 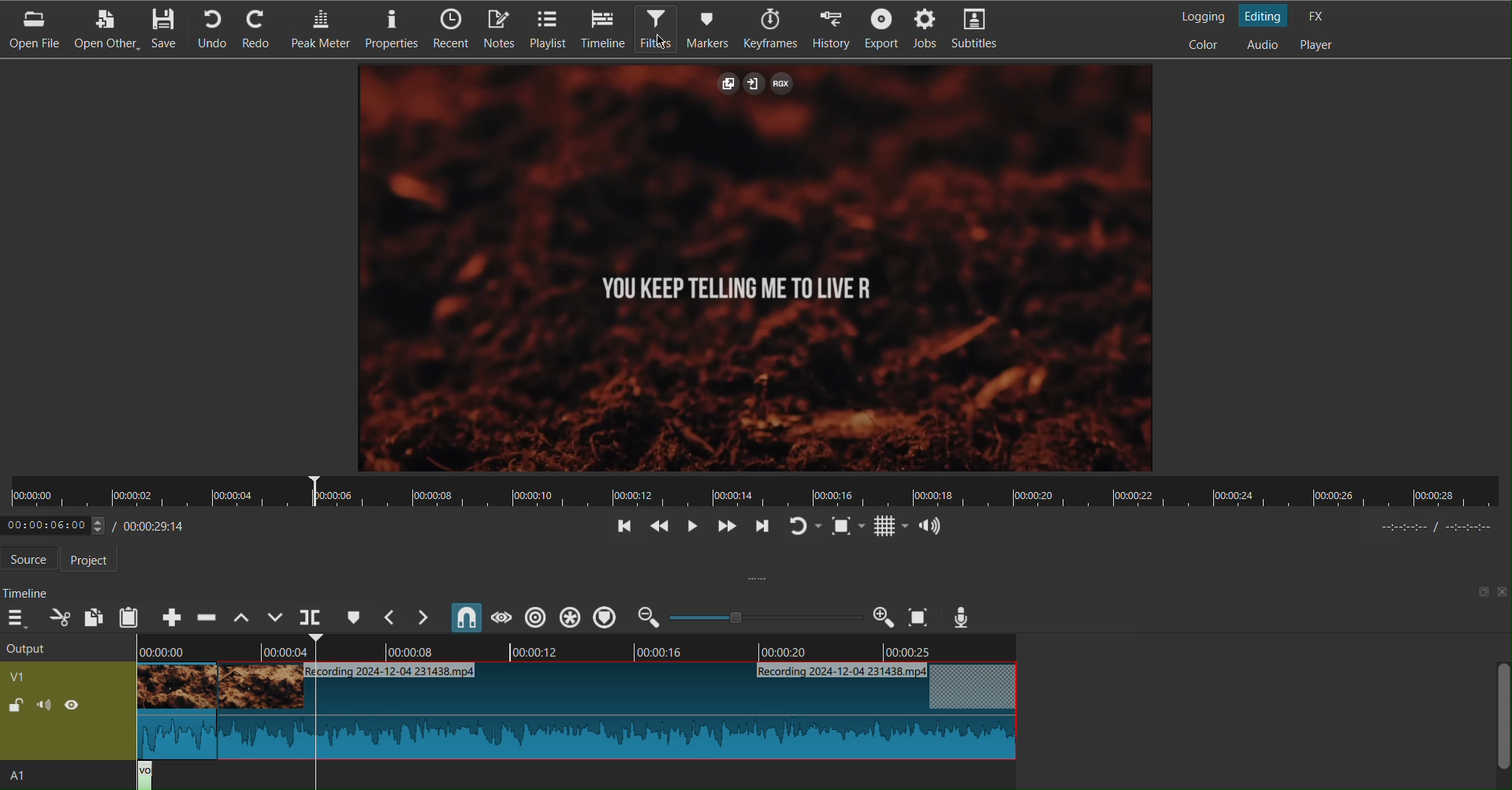 I want to click on Player, so click(x=1319, y=46).